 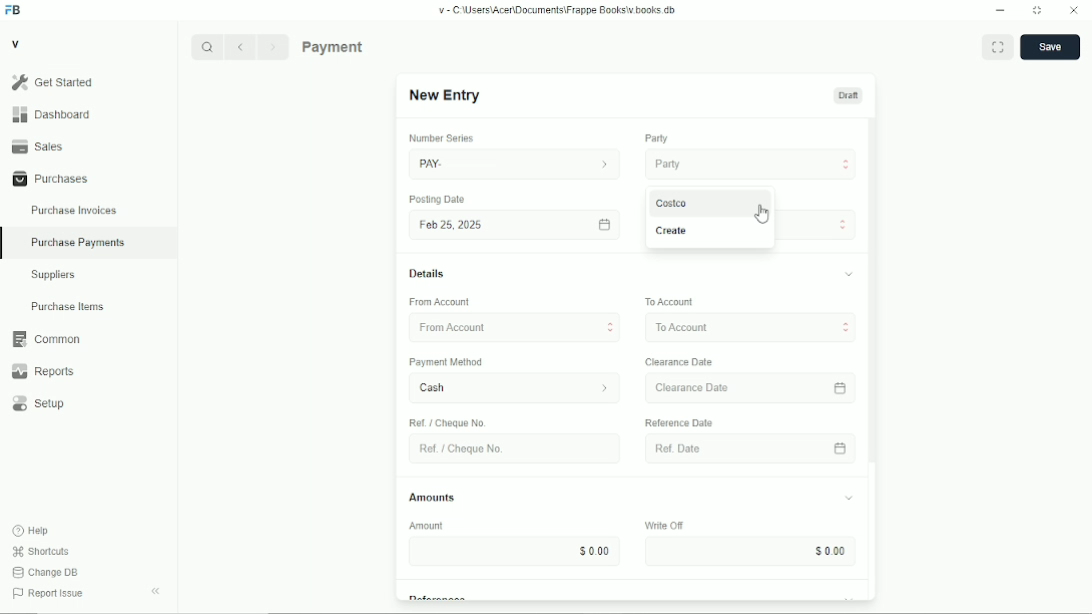 What do you see at coordinates (871, 293) in the screenshot?
I see `vertical scrollbar` at bounding box center [871, 293].